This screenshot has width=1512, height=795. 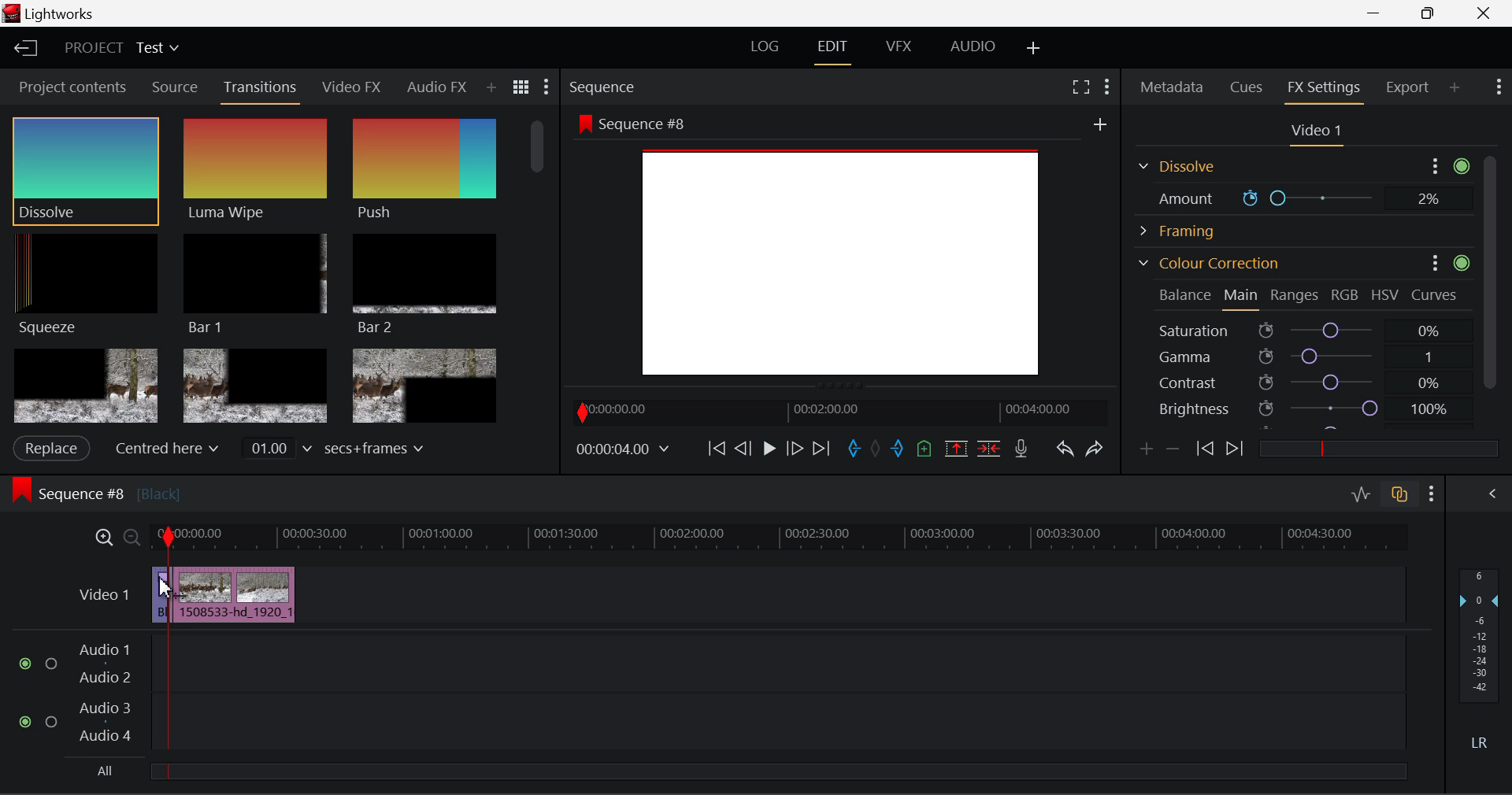 I want to click on Luma Wipe, so click(x=251, y=170).